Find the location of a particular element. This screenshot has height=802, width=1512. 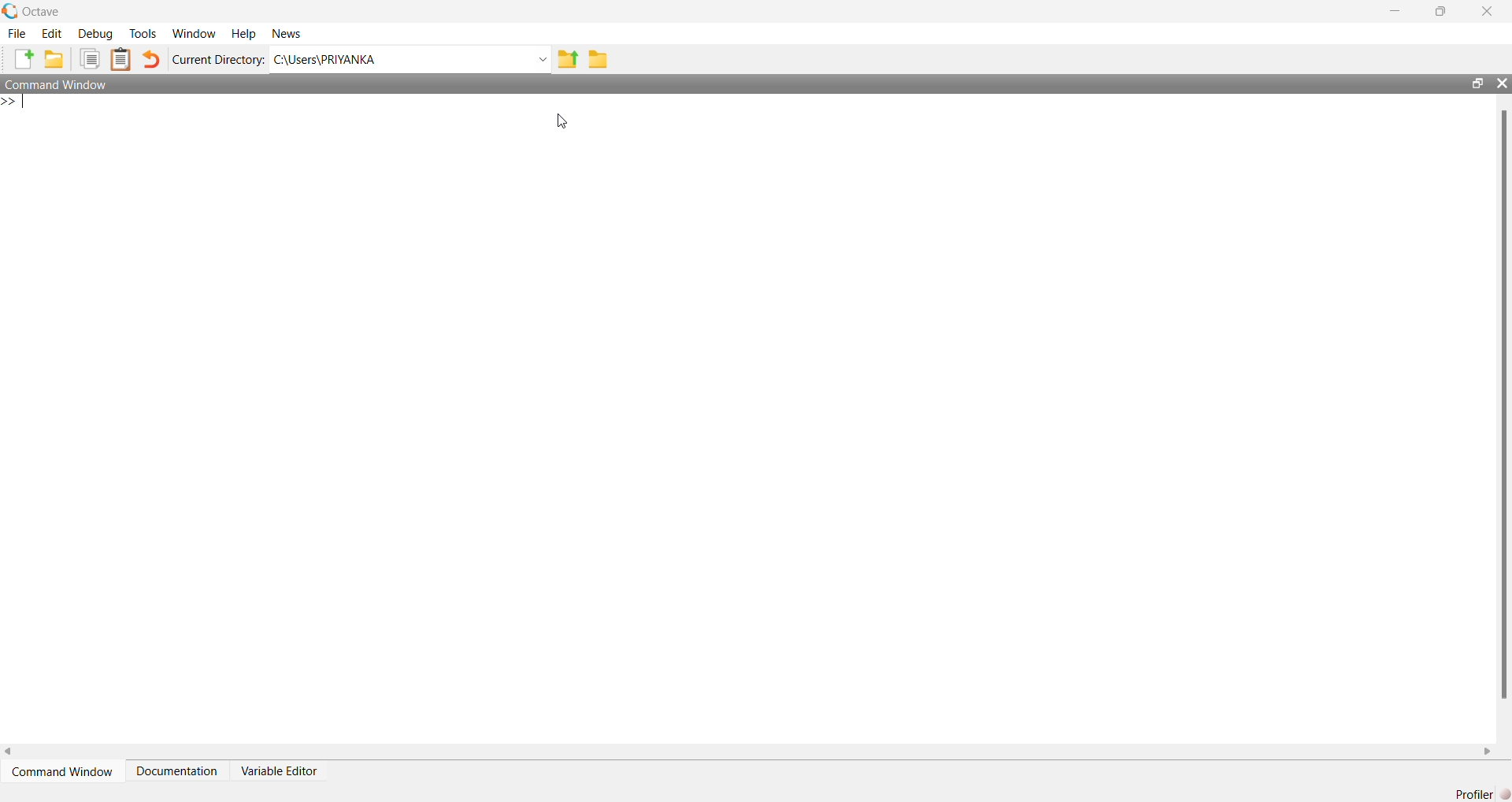

documentation is located at coordinates (177, 775).